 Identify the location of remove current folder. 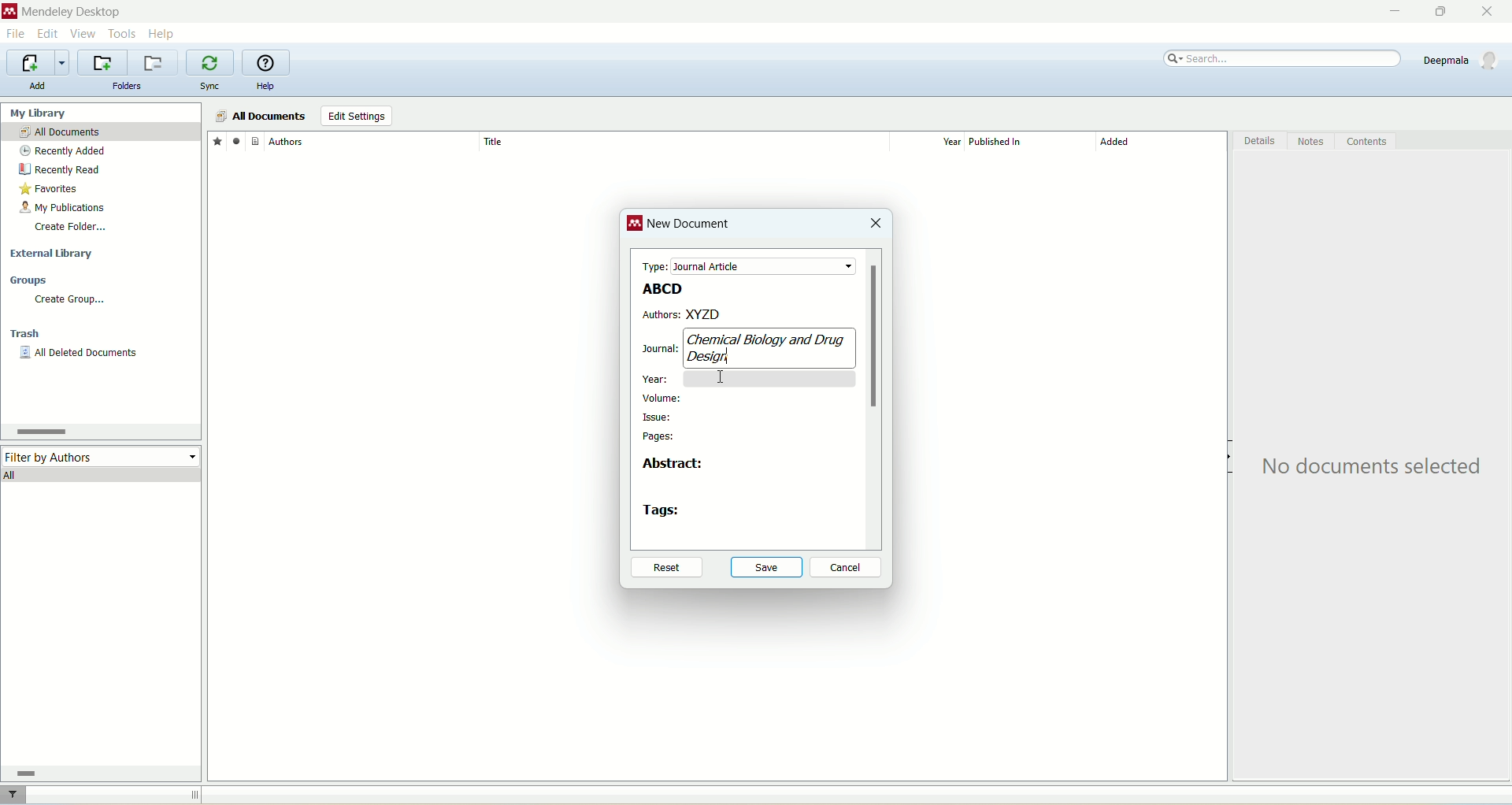
(155, 62).